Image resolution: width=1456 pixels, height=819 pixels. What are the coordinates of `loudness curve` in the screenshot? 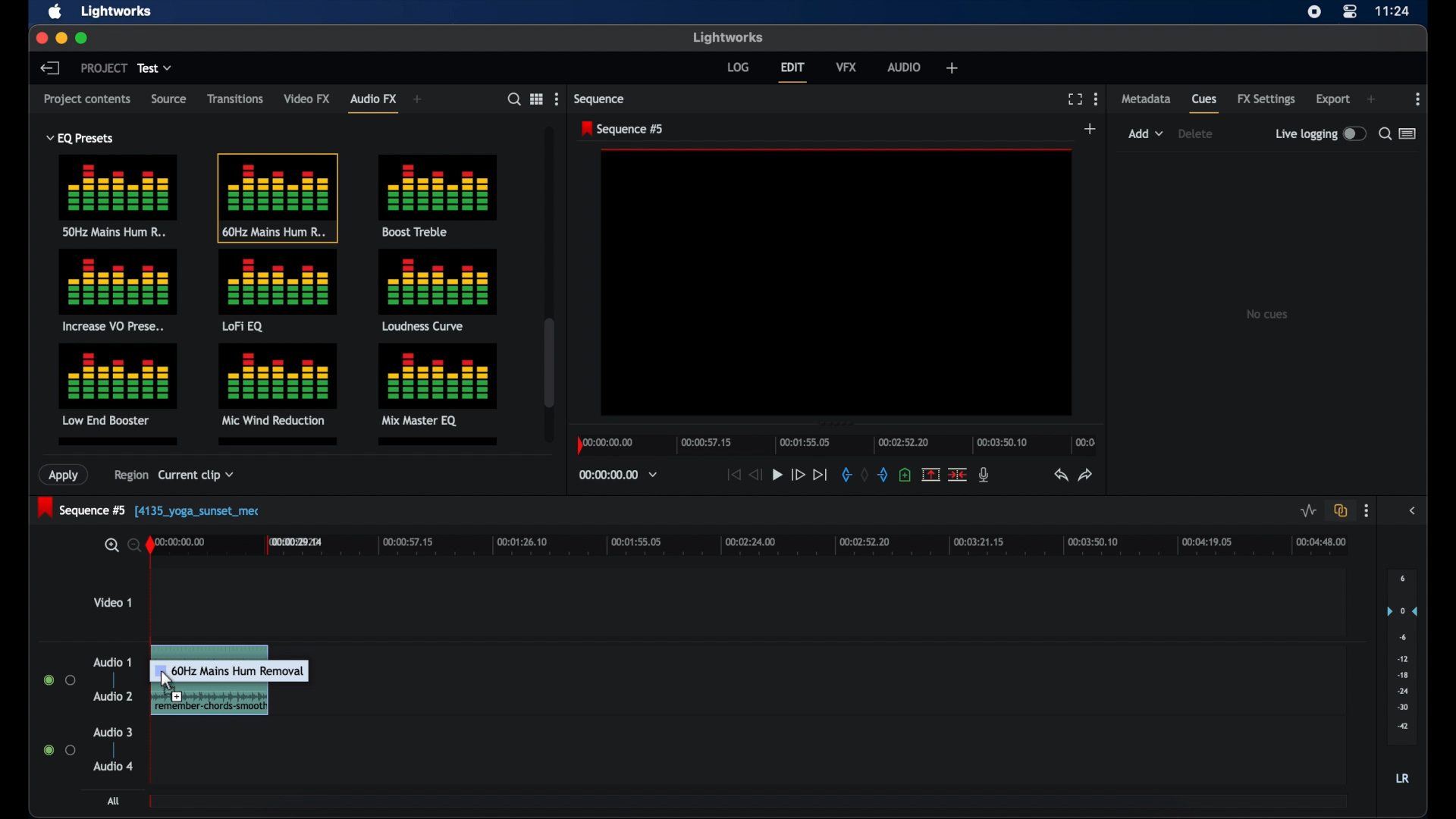 It's located at (438, 290).